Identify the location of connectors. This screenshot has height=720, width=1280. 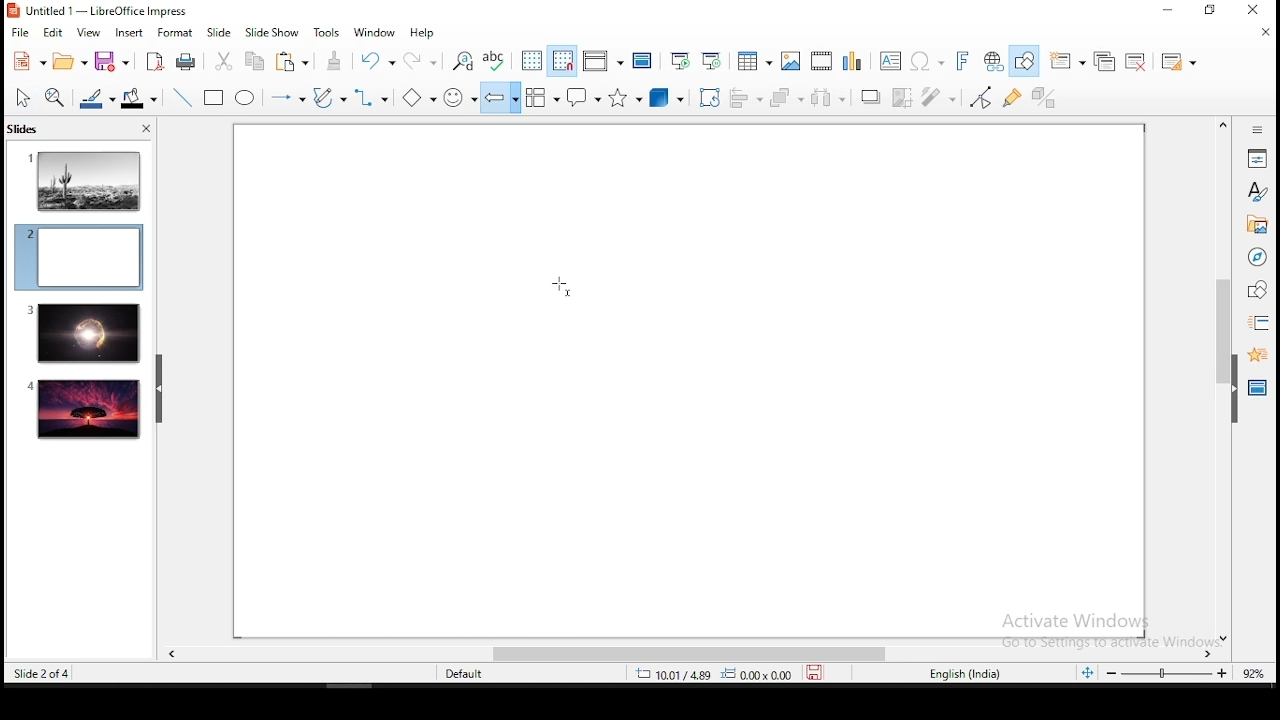
(370, 98).